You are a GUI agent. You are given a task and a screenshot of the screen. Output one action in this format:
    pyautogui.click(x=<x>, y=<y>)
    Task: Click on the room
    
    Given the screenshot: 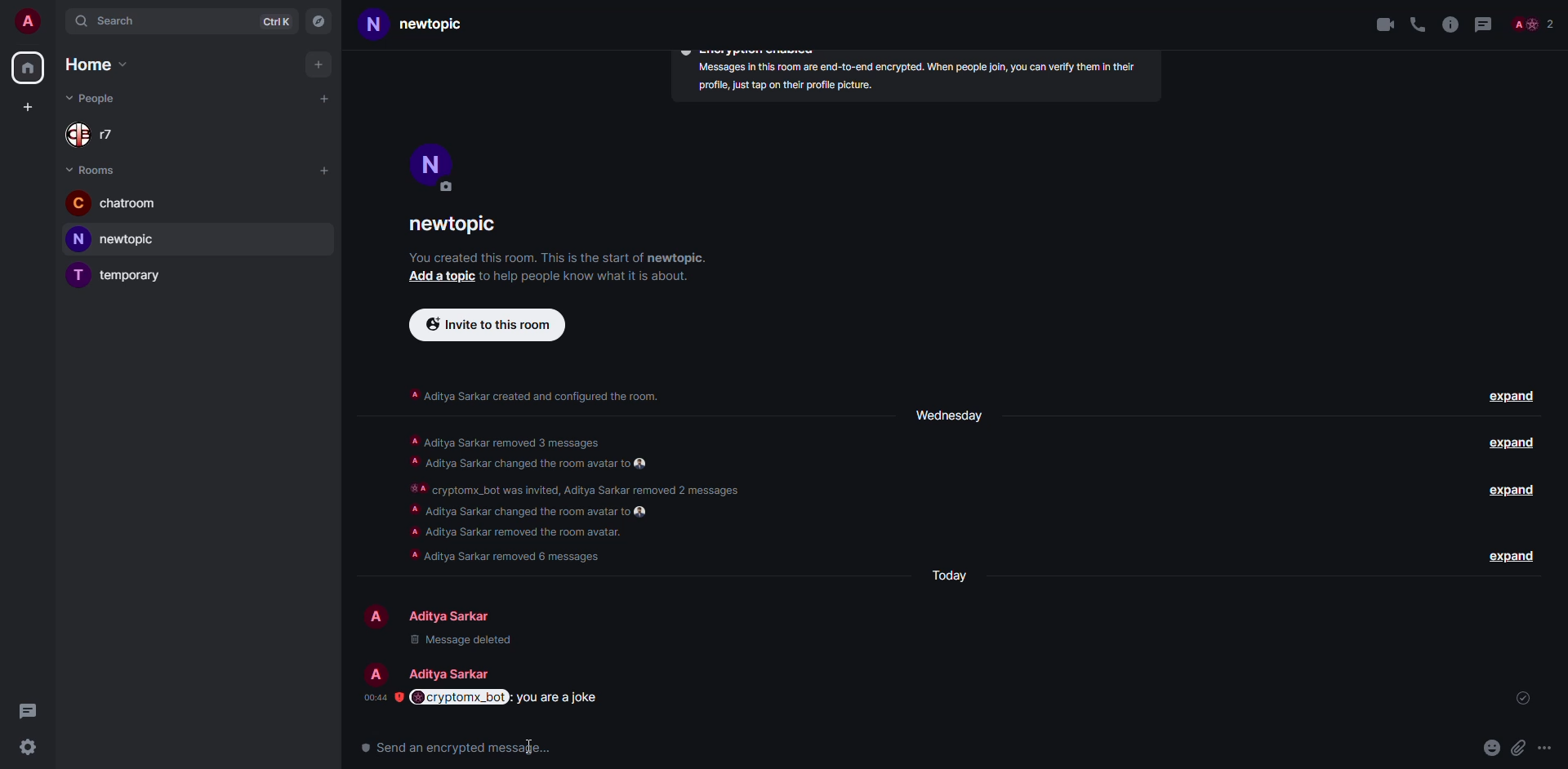 What is the action you would take?
    pyautogui.click(x=461, y=224)
    